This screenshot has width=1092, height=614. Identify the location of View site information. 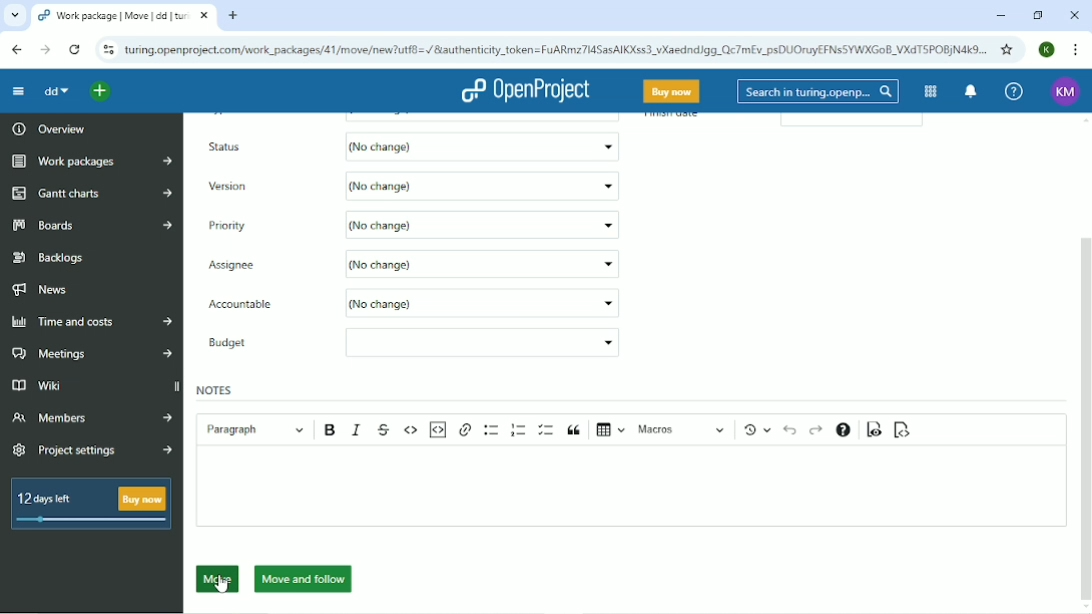
(107, 50).